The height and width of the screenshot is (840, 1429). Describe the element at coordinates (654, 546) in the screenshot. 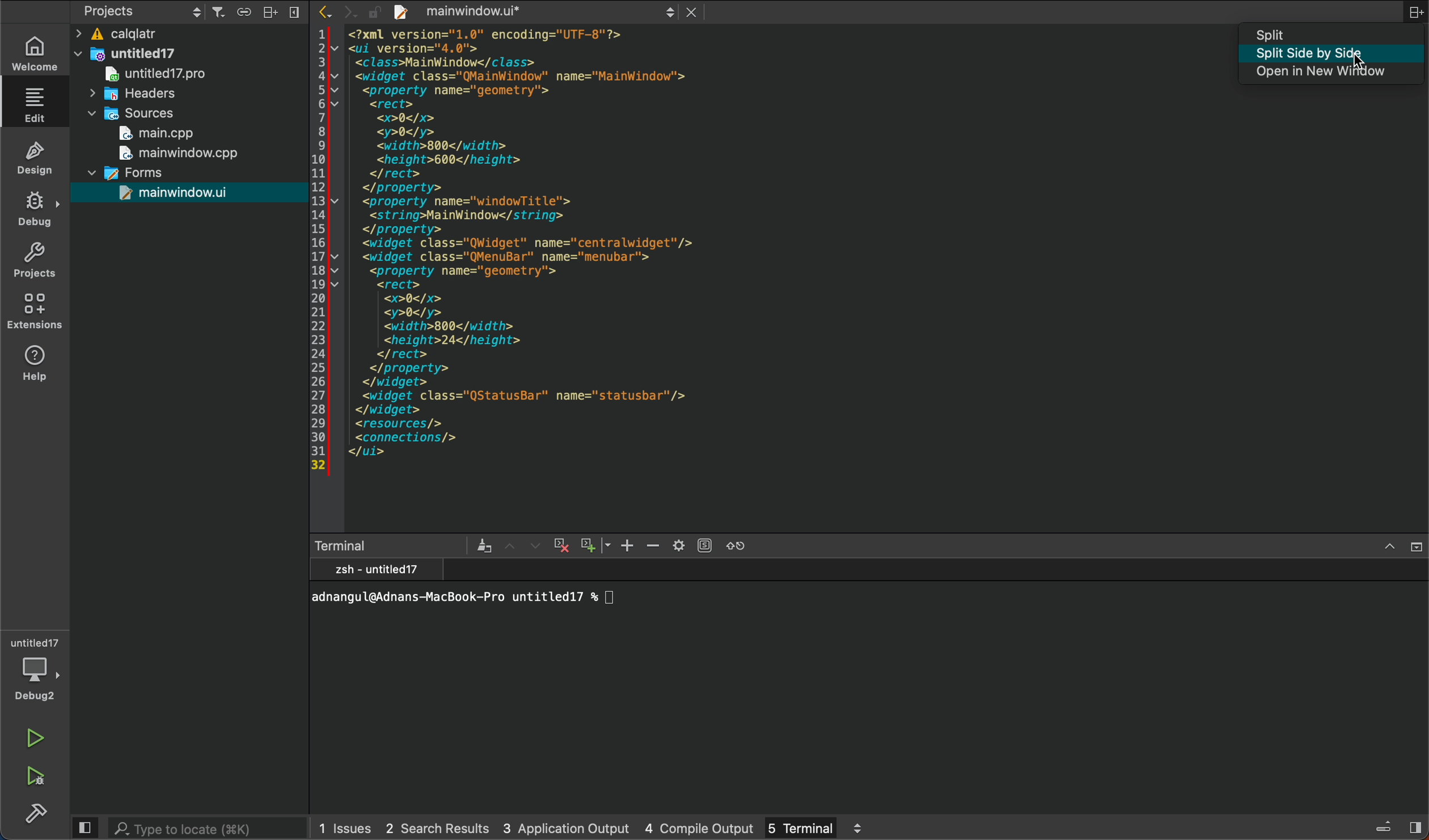

I see `zoom out` at that location.